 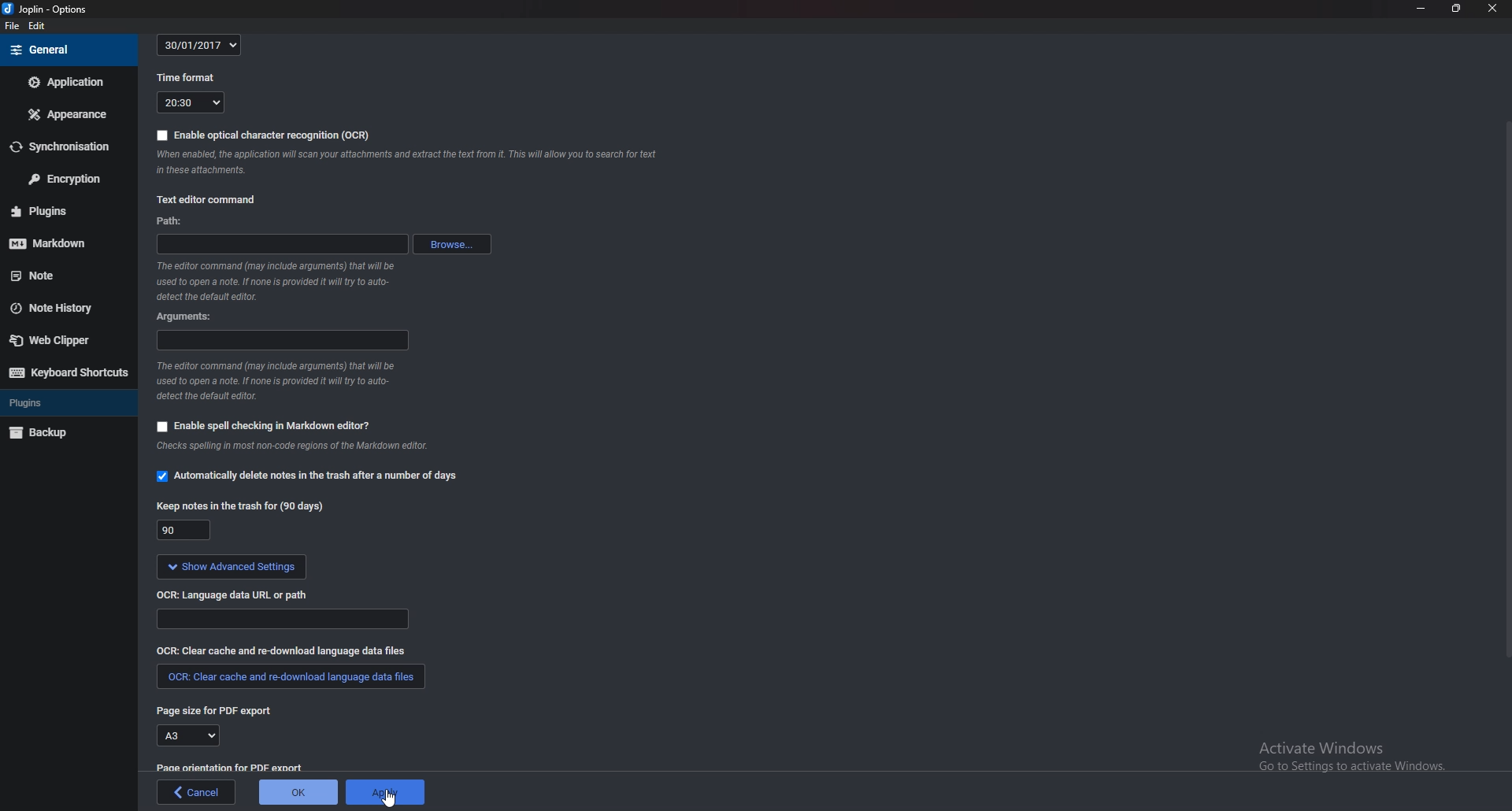 I want to click on 90 days, so click(x=183, y=532).